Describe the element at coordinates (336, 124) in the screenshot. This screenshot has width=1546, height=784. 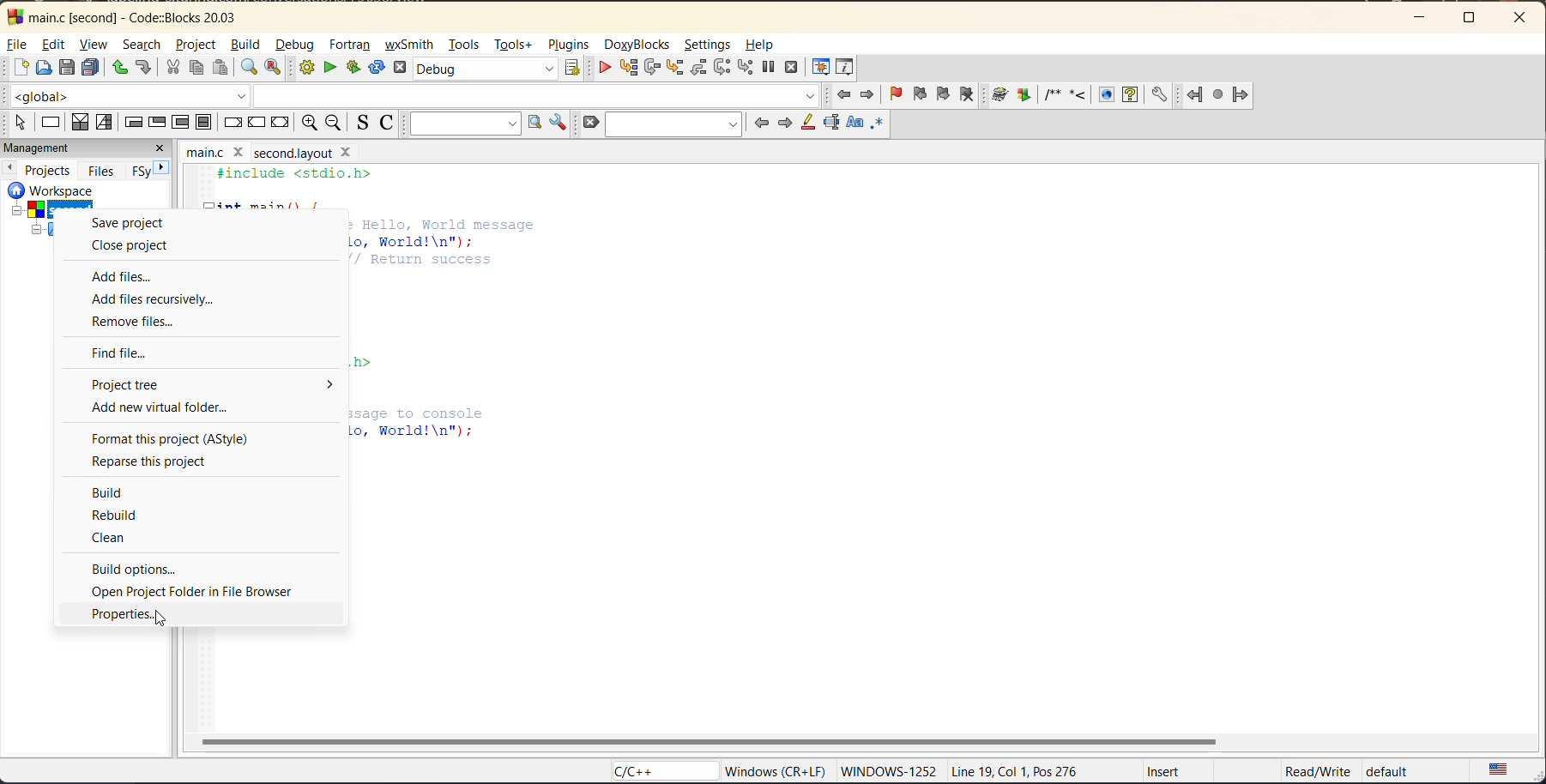
I see `zoom out` at that location.